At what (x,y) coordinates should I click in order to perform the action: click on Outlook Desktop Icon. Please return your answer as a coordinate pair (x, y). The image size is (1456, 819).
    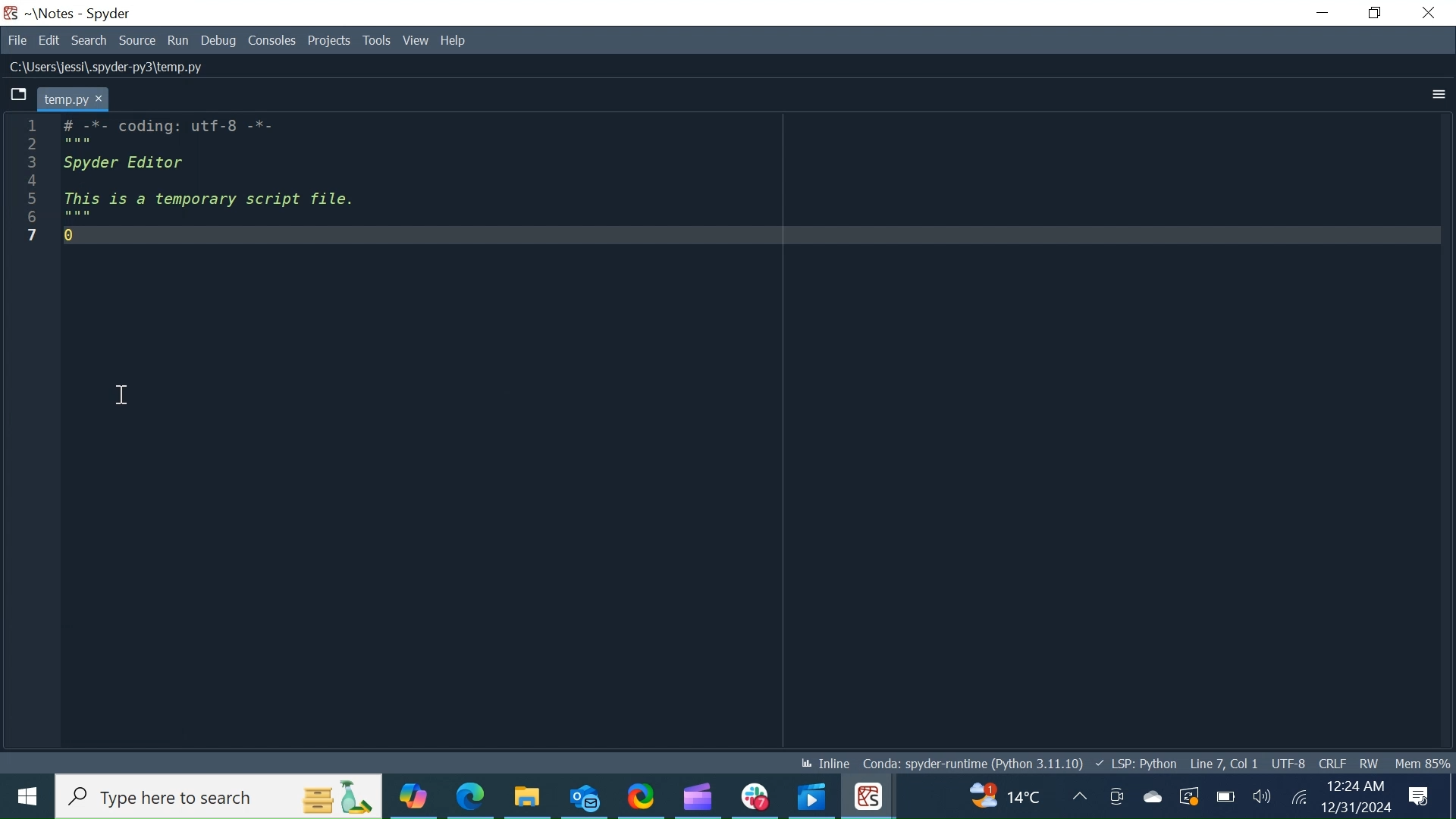
    Looking at the image, I should click on (585, 795).